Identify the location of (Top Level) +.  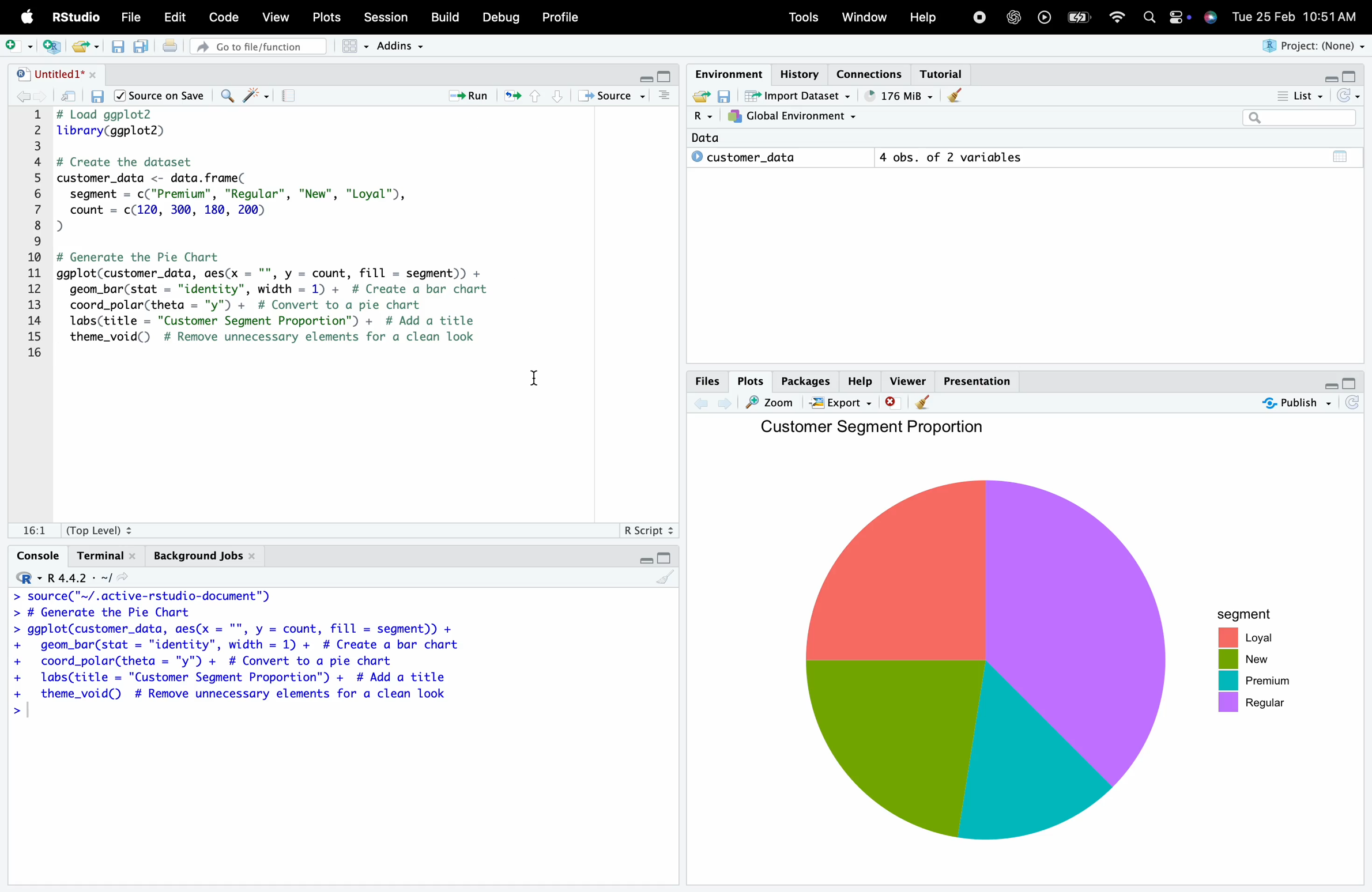
(99, 530).